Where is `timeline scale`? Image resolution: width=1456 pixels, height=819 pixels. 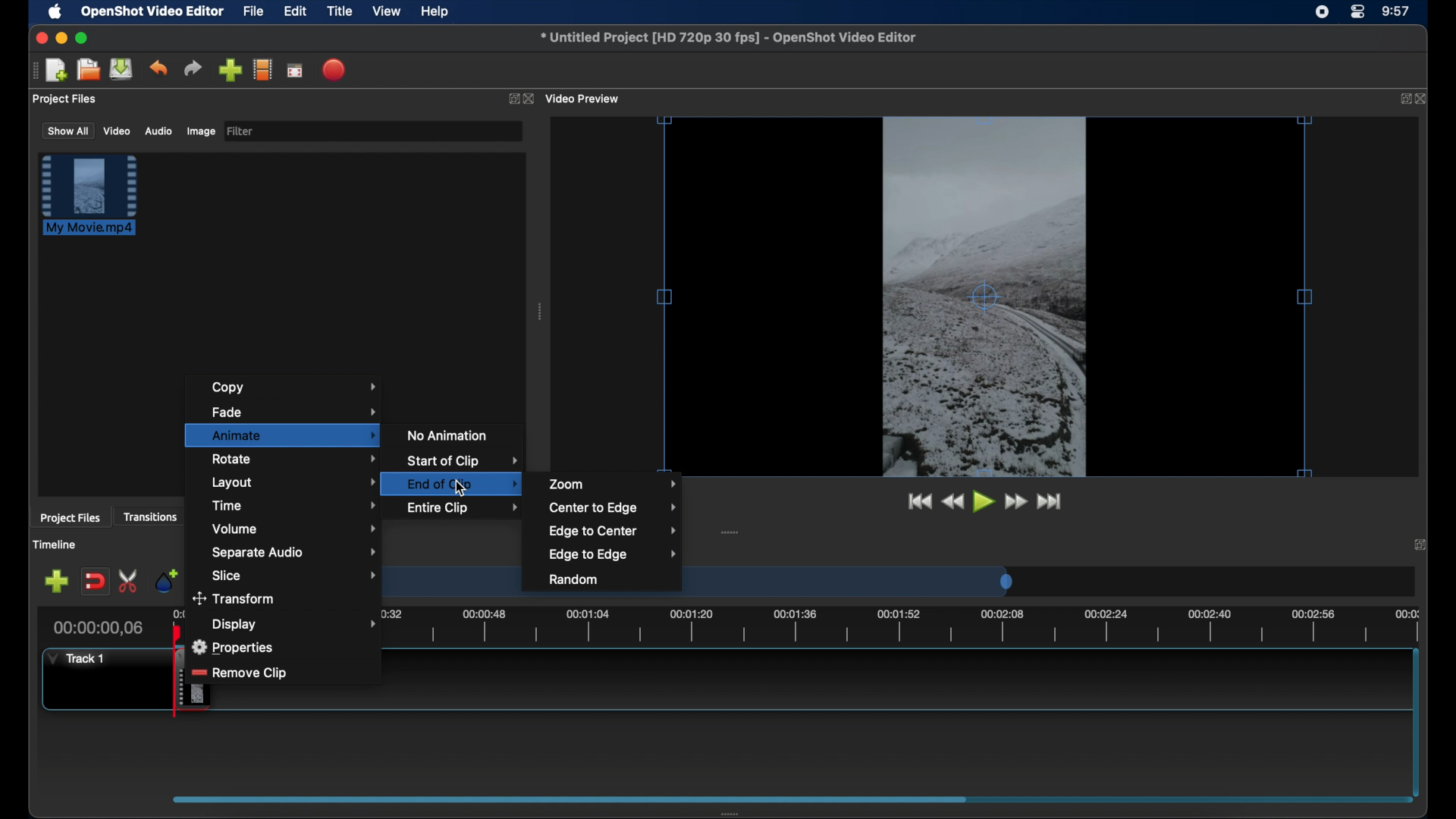
timeline scale is located at coordinates (898, 626).